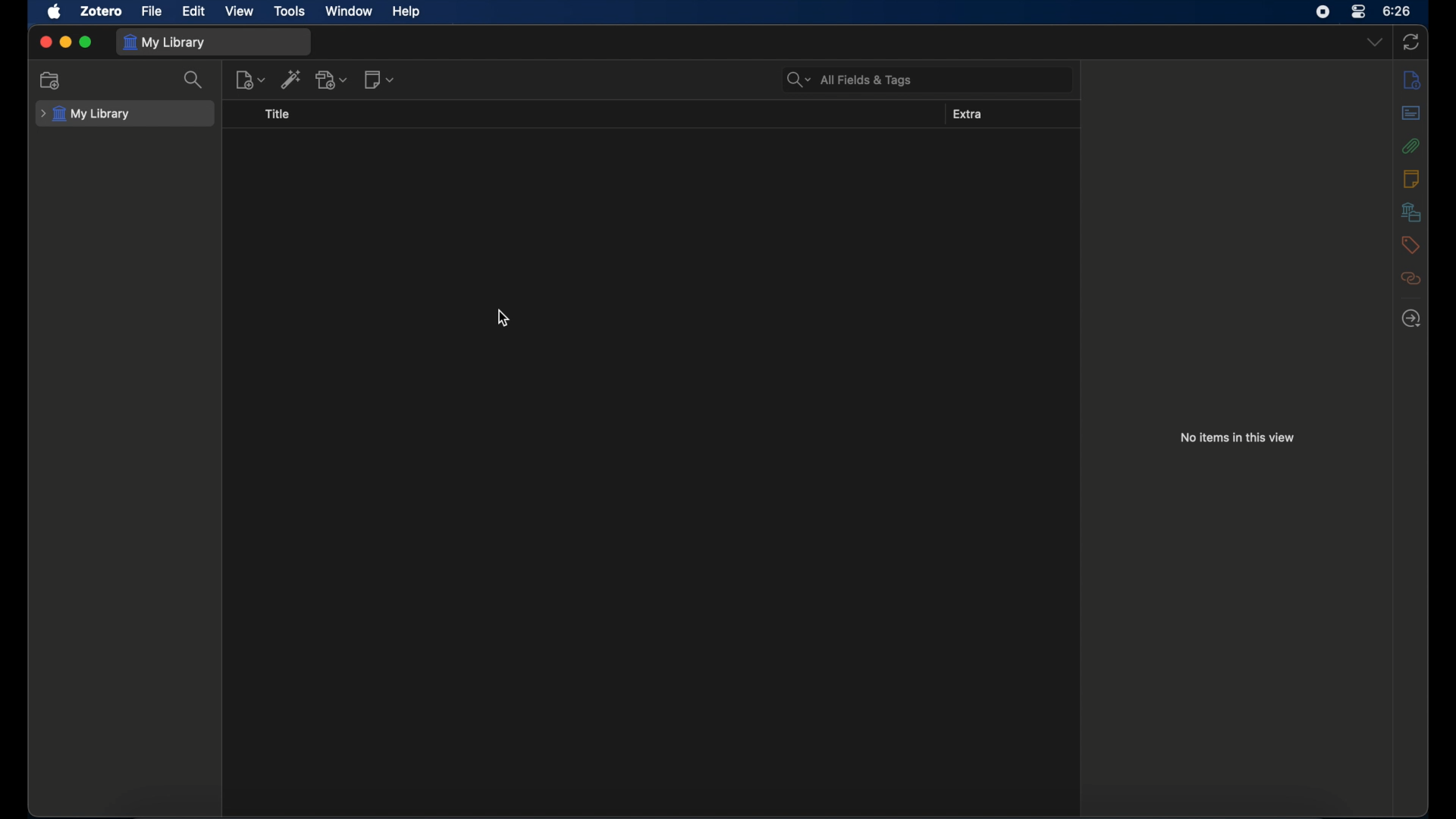 Image resolution: width=1456 pixels, height=819 pixels. Describe the element at coordinates (85, 114) in the screenshot. I see `my library` at that location.